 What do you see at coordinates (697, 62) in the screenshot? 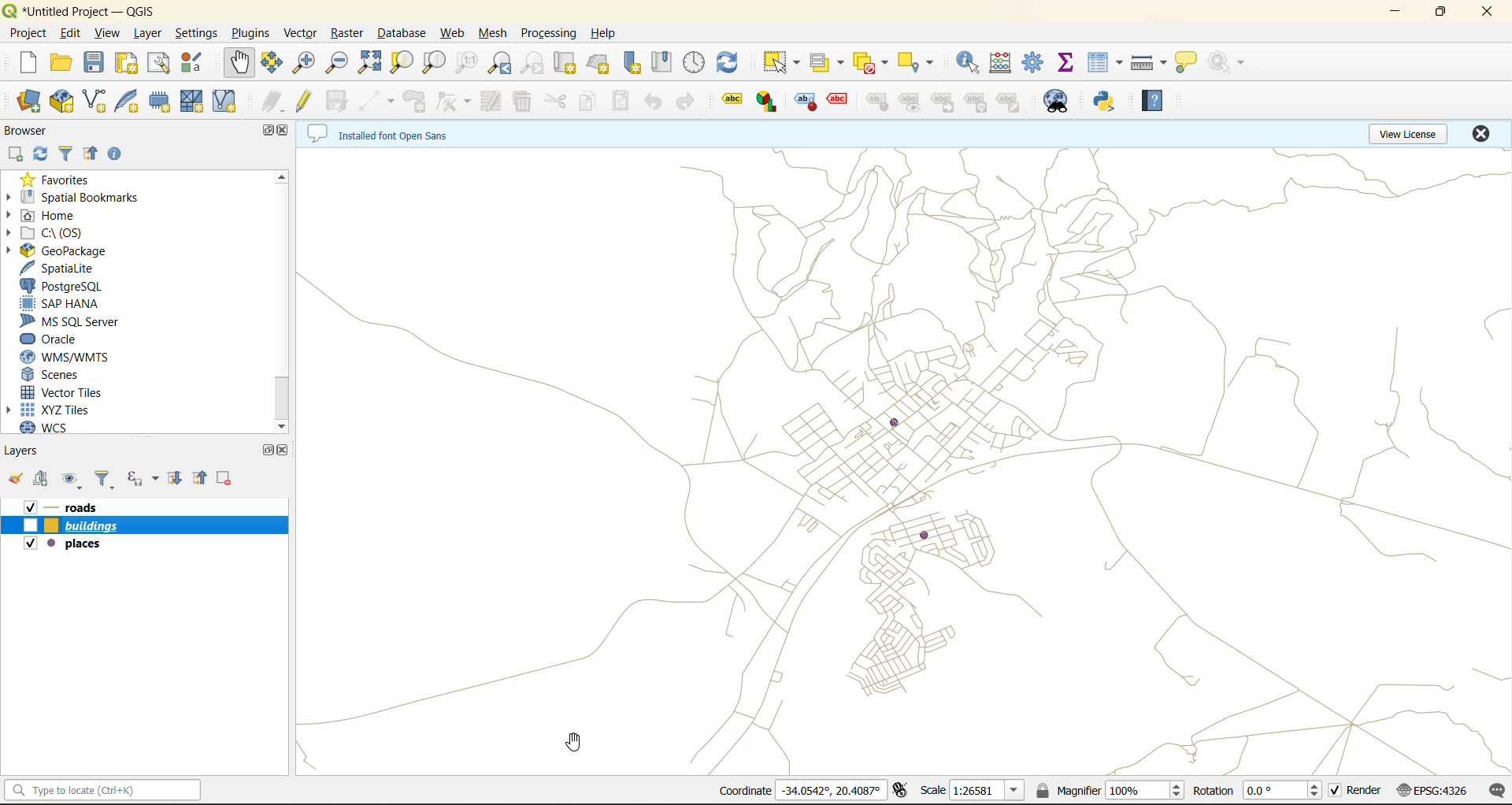
I see `control panel` at bounding box center [697, 62].